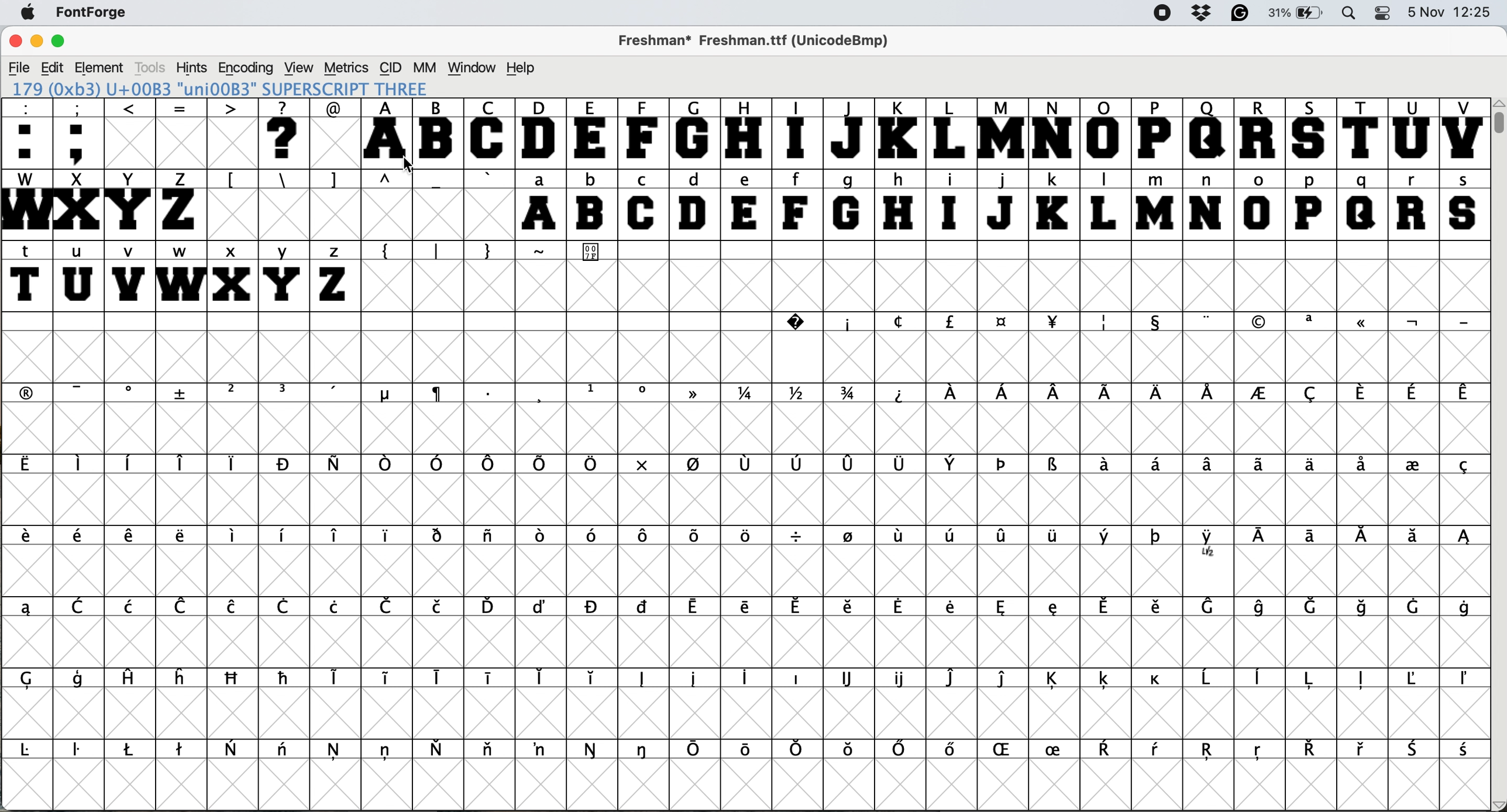  Describe the element at coordinates (35, 41) in the screenshot. I see `minimise` at that location.